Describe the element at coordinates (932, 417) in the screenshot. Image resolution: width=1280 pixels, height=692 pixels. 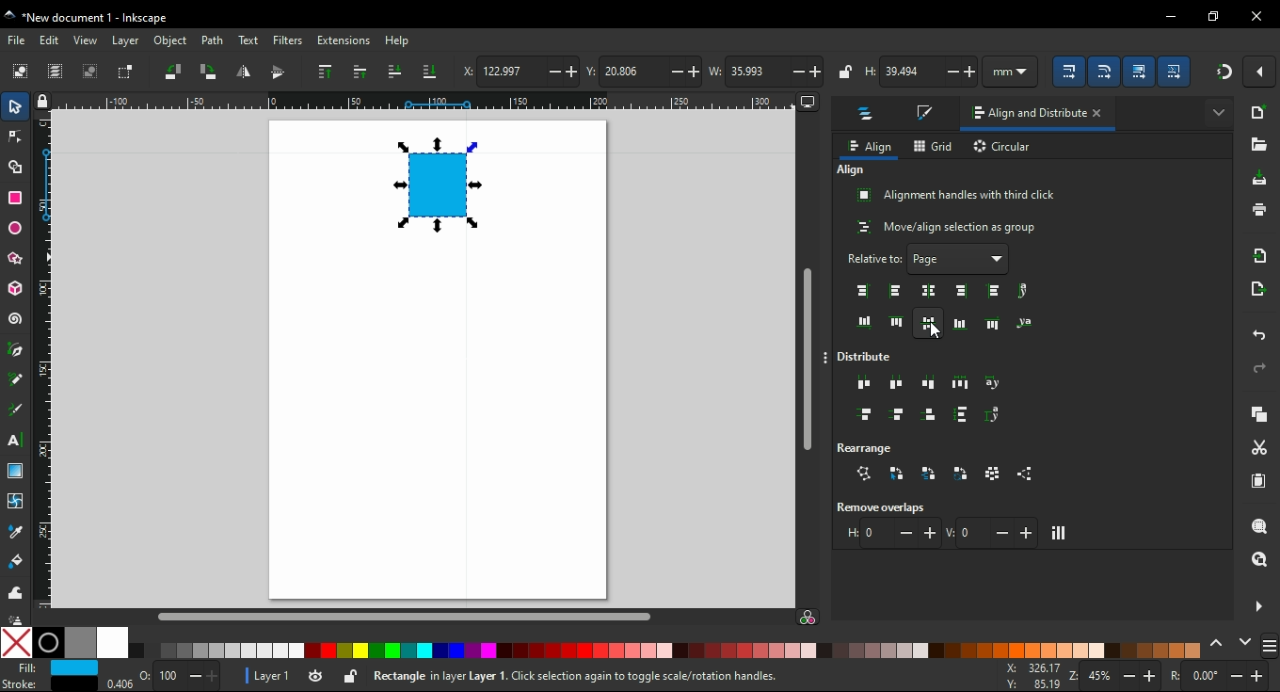
I see `distribute vertically with even spacing between bottom edges` at that location.